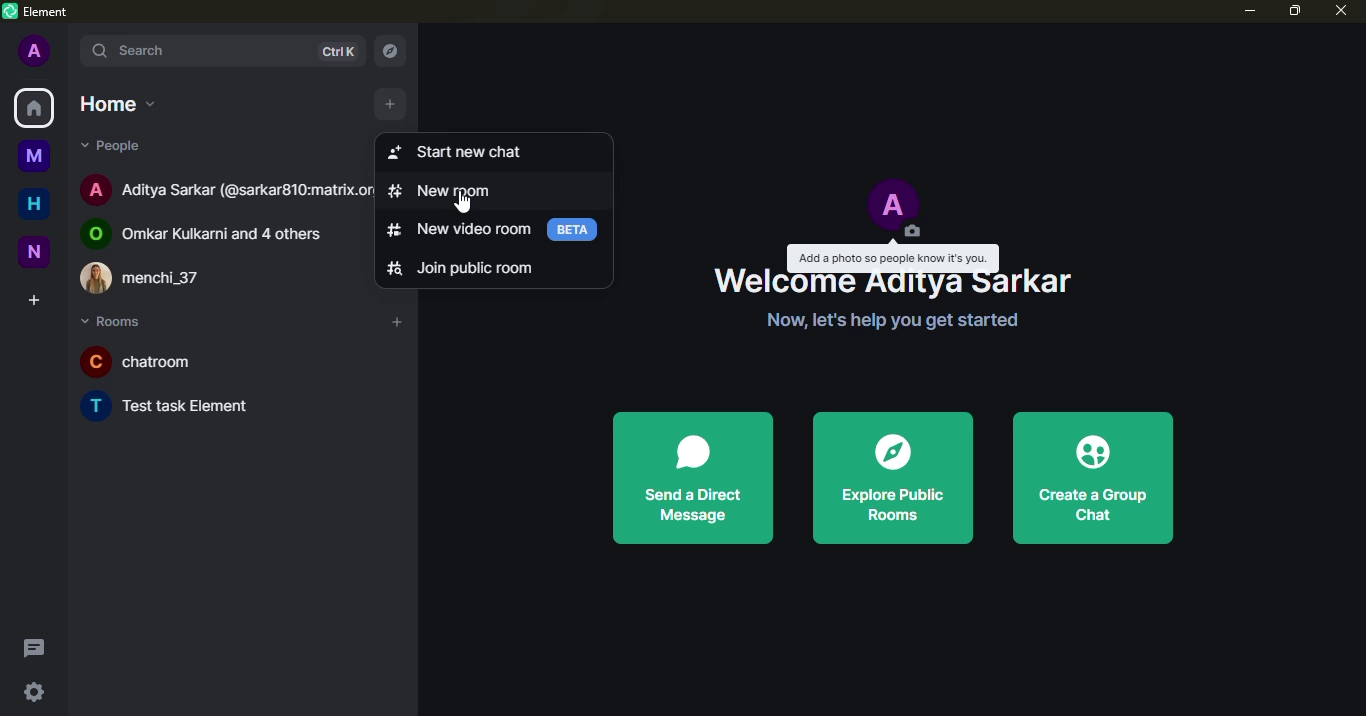 The height and width of the screenshot is (716, 1366). I want to click on chatroom, so click(140, 360).